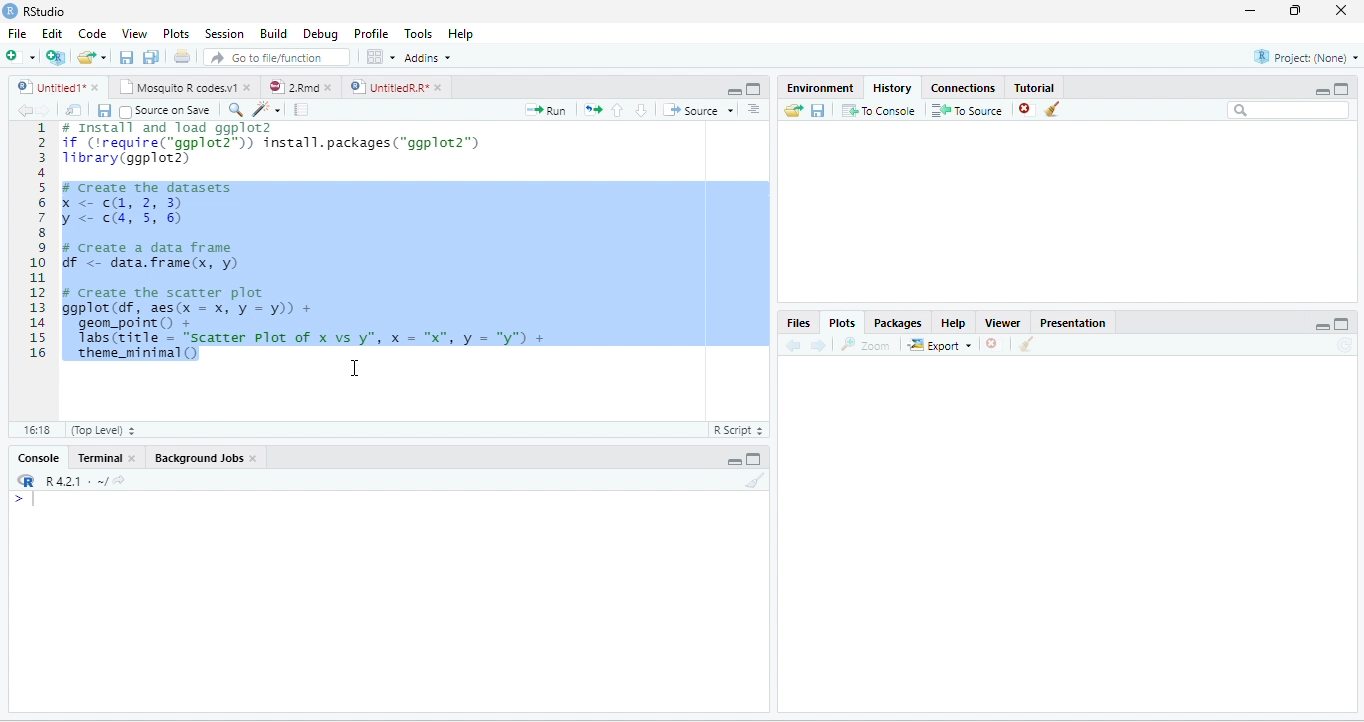 The height and width of the screenshot is (722, 1364). I want to click on Minimize, so click(1322, 91).